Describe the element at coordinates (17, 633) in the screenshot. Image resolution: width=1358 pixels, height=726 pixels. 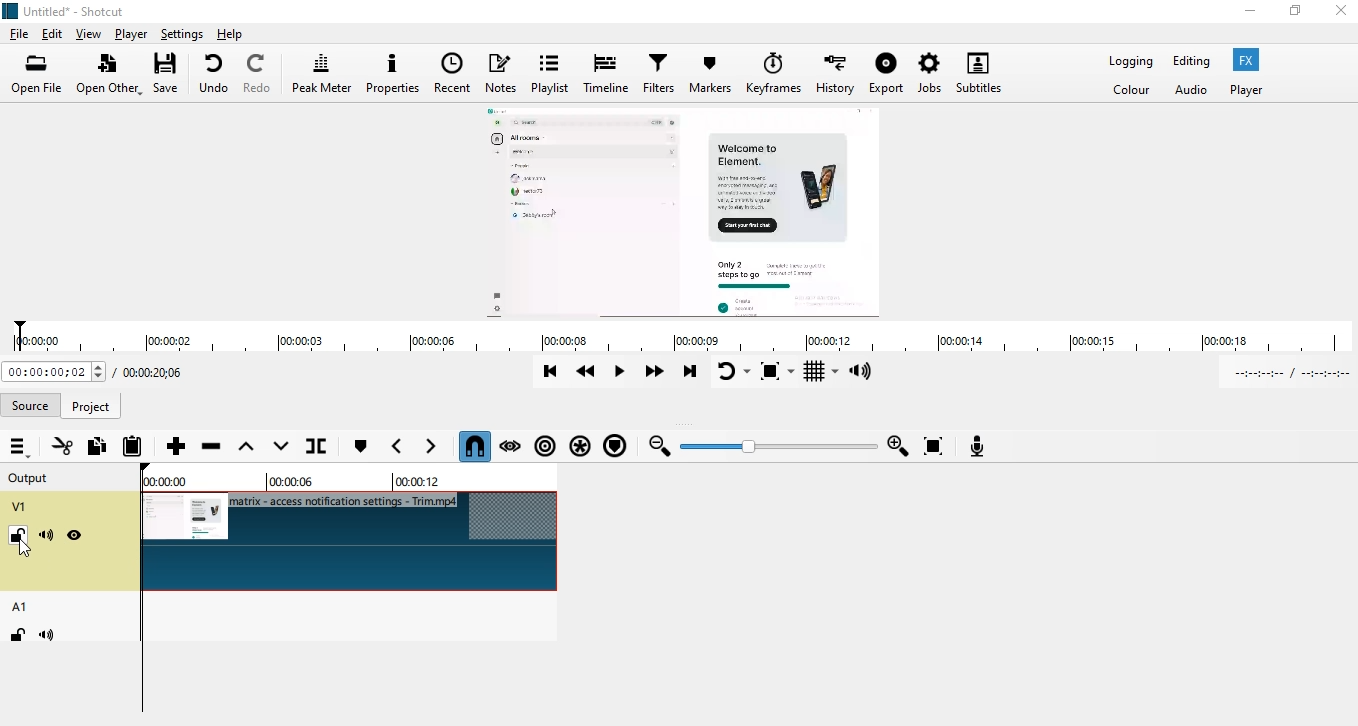
I see `lock` at that location.